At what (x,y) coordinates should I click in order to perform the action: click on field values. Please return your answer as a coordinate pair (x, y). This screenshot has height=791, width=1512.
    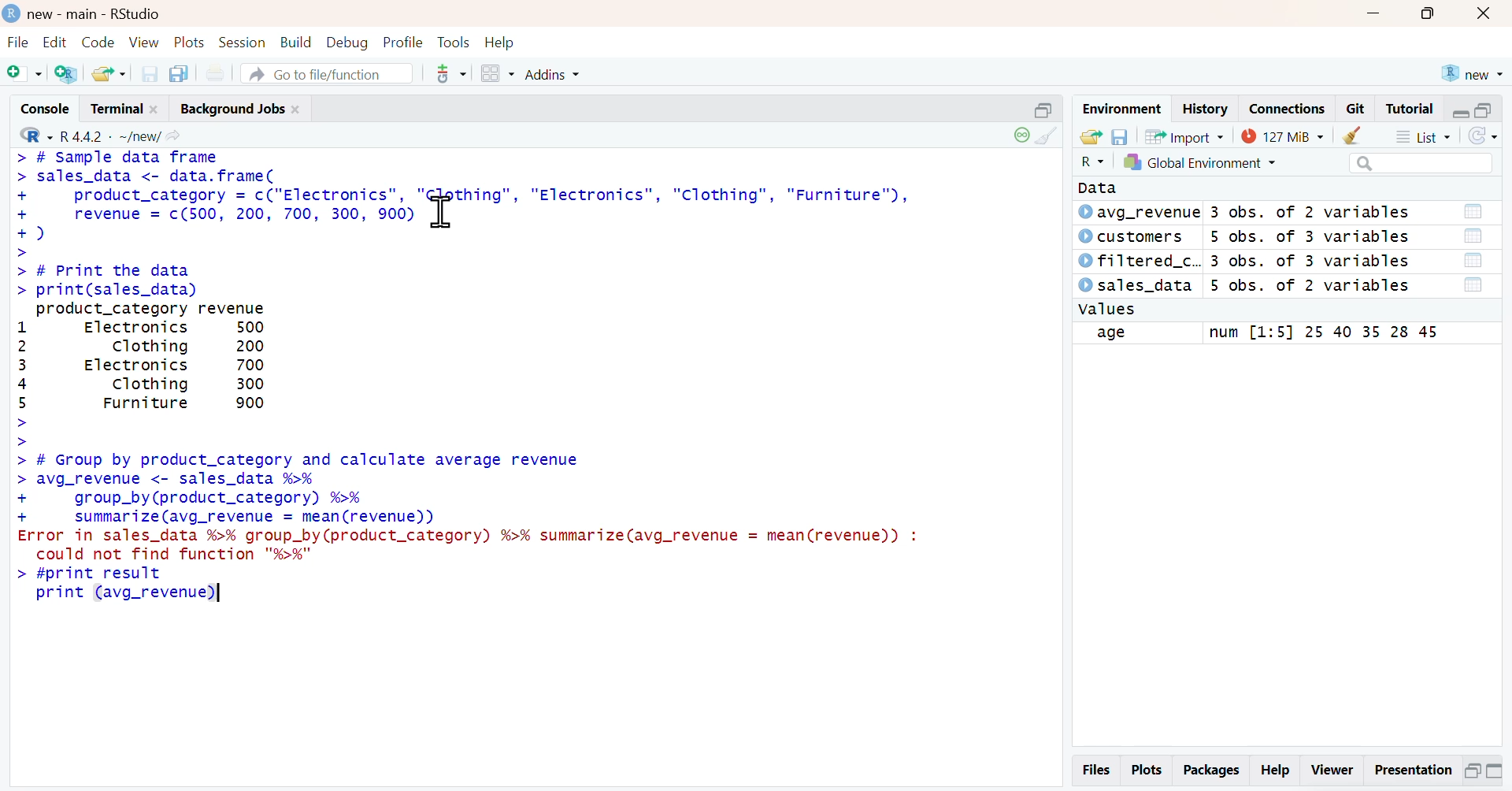
    Looking at the image, I should click on (1320, 333).